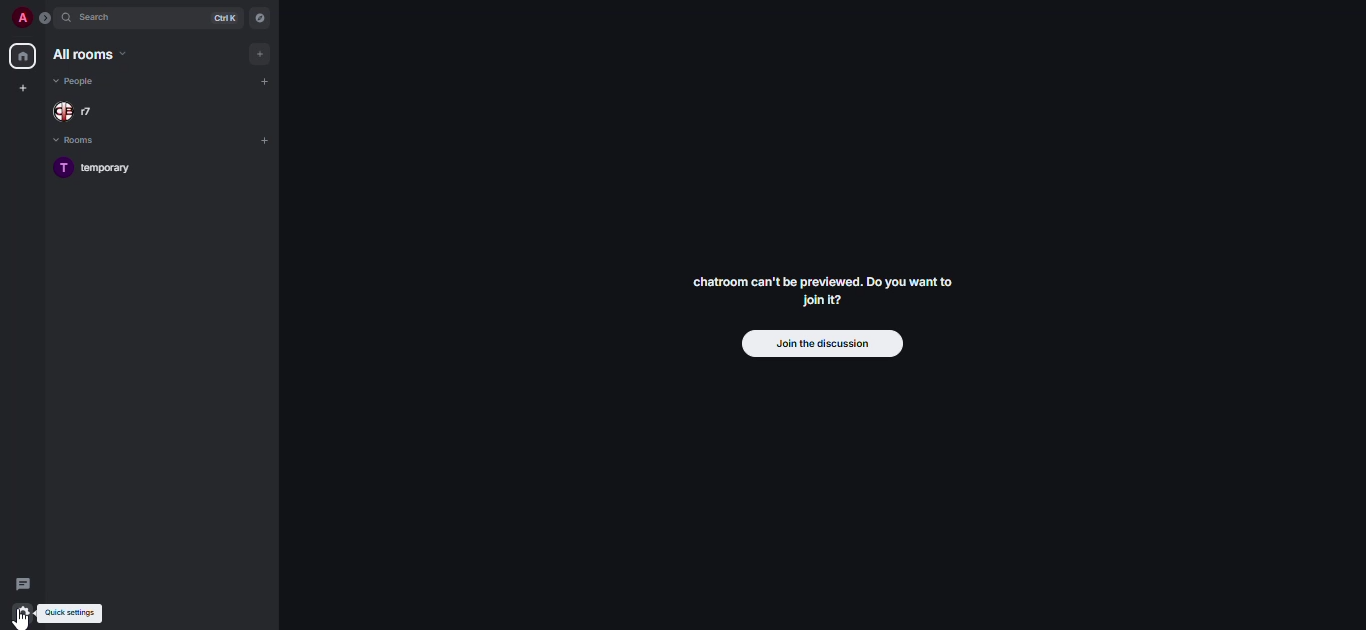 The image size is (1366, 630). Describe the element at coordinates (70, 613) in the screenshot. I see `quick settings` at that location.